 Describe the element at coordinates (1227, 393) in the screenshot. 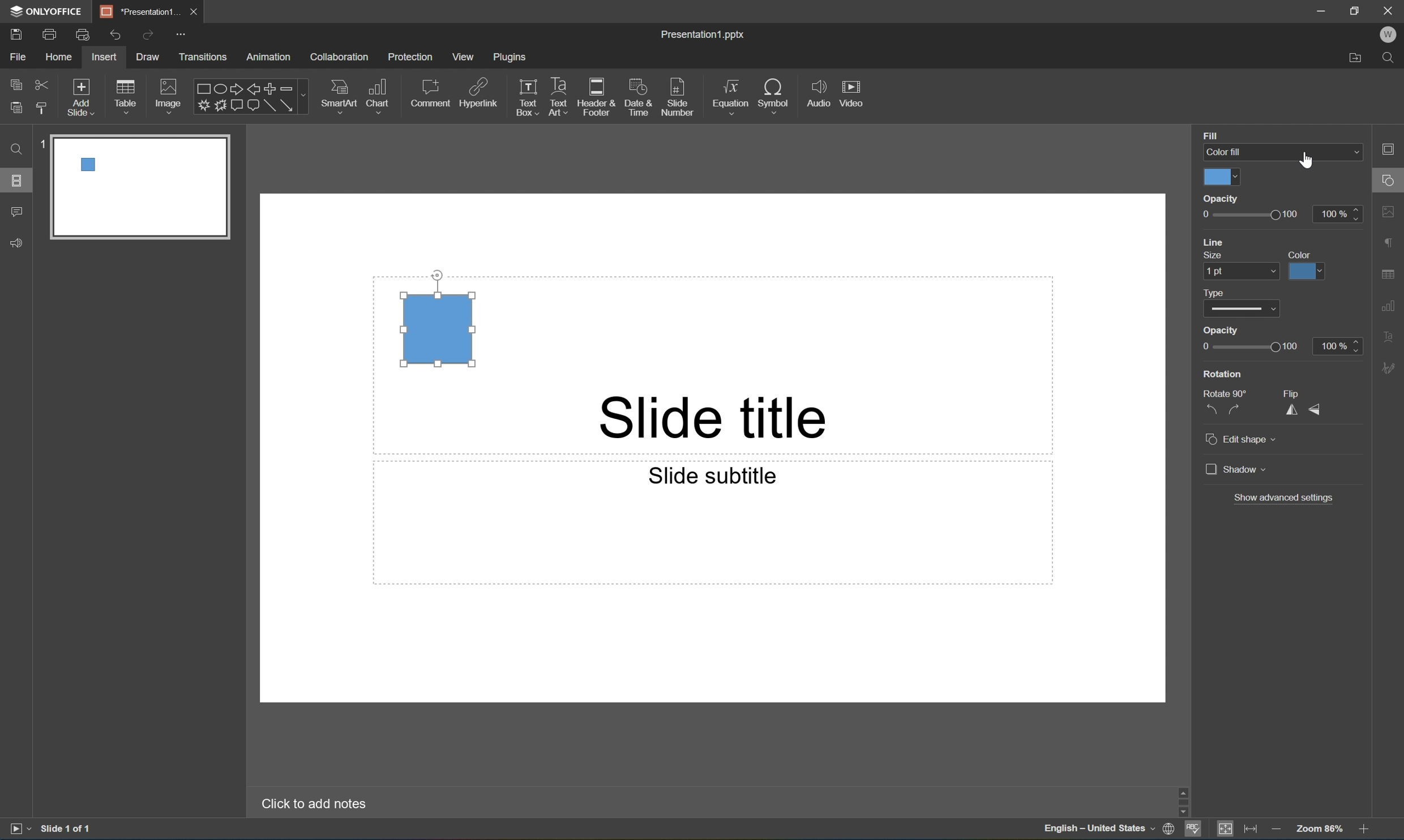

I see `Rotate 90°` at that location.